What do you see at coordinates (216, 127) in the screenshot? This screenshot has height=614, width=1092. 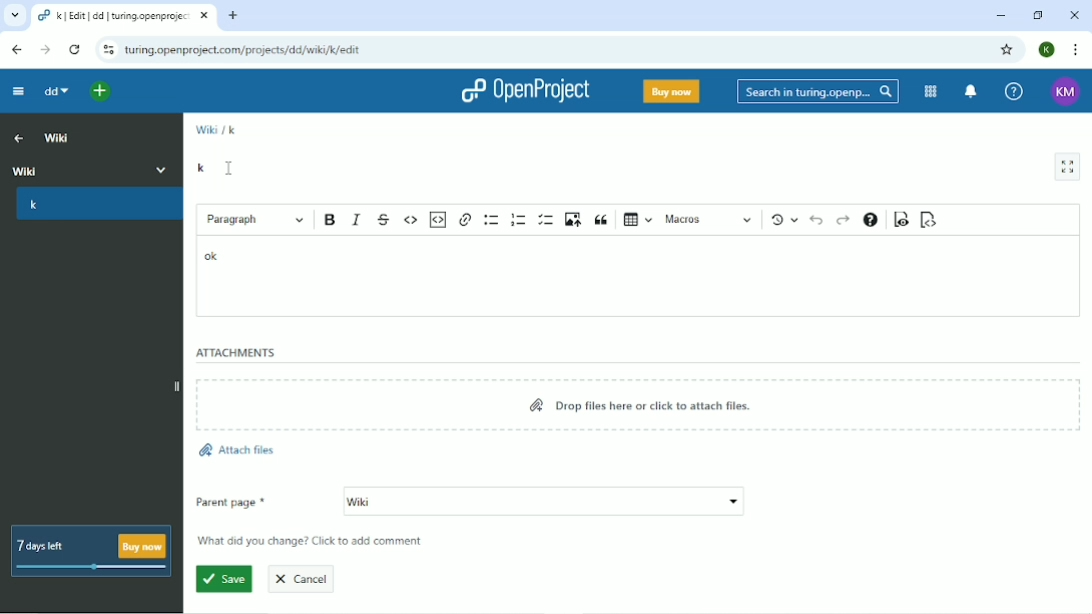 I see `Wiki/K` at bounding box center [216, 127].